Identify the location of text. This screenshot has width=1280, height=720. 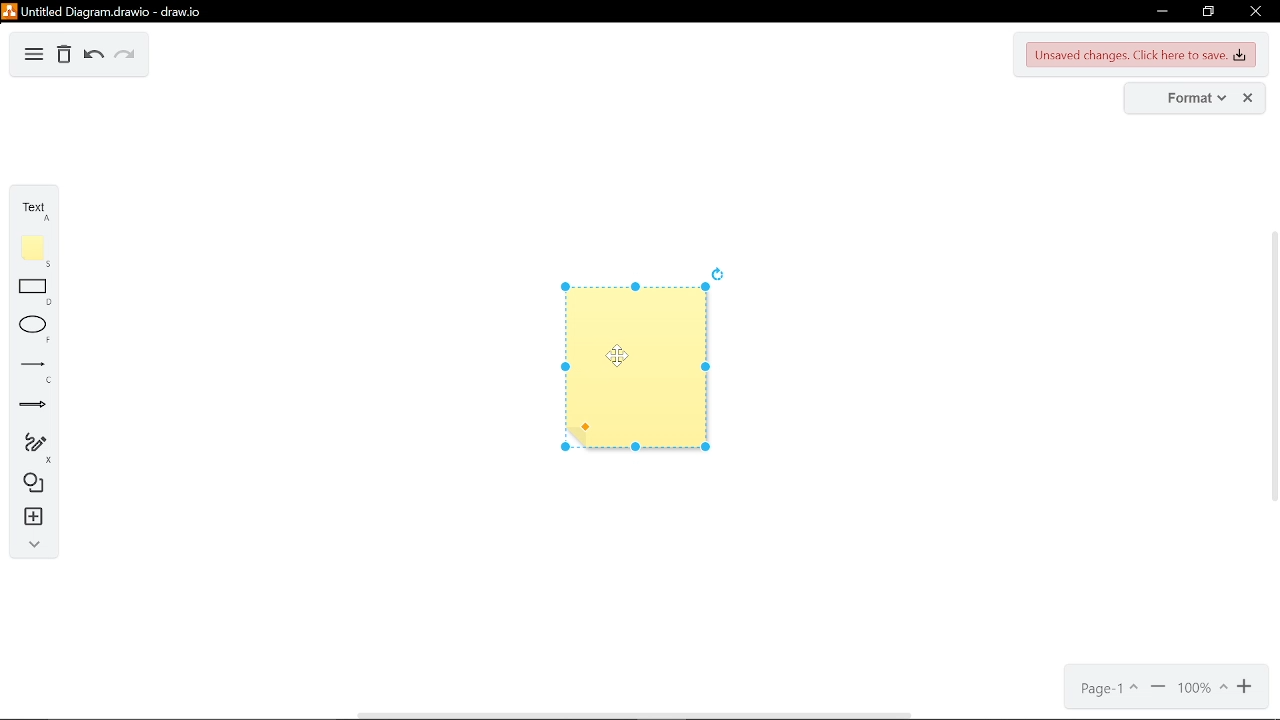
(33, 210).